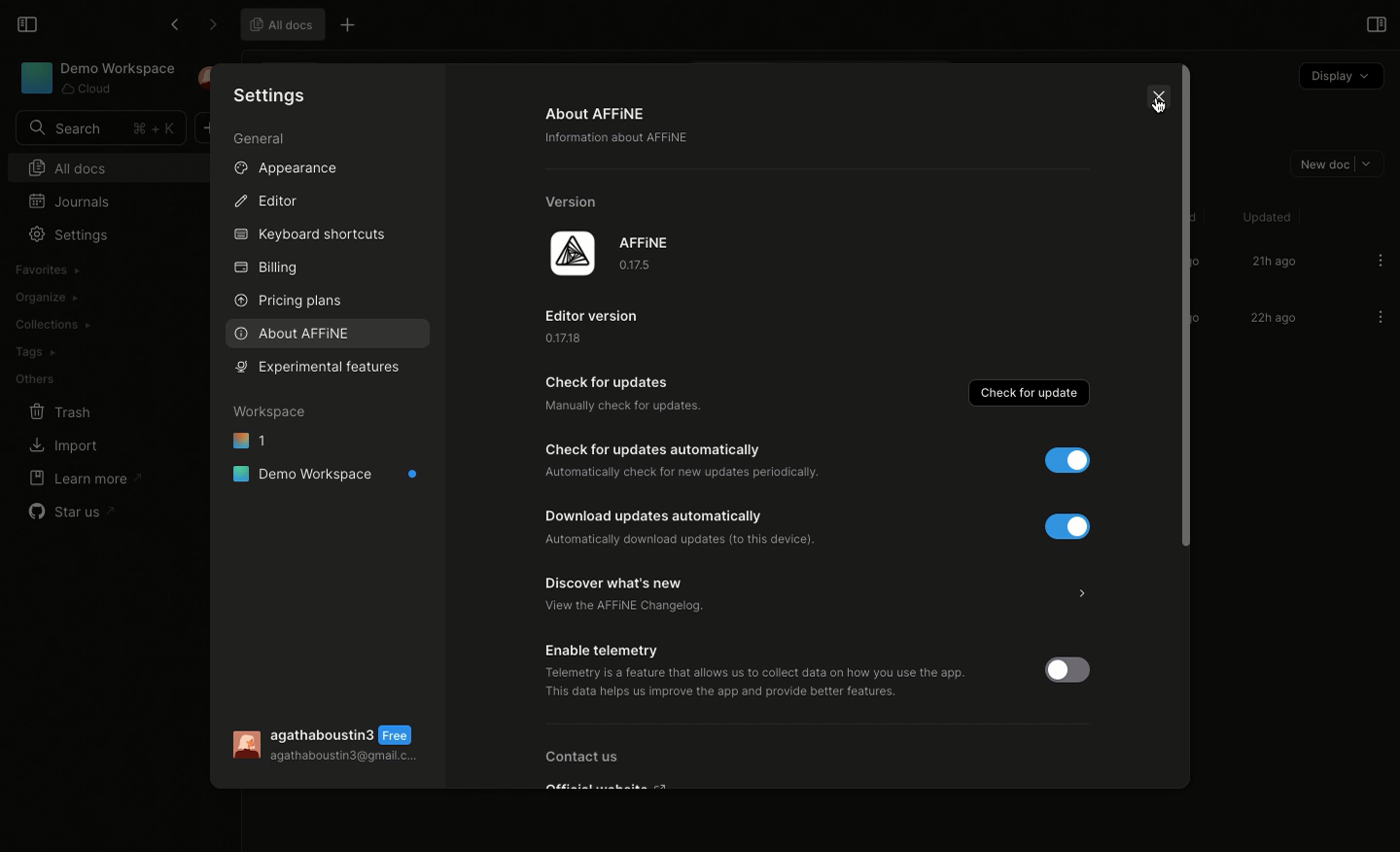  What do you see at coordinates (350, 27) in the screenshot?
I see `Other options` at bounding box center [350, 27].